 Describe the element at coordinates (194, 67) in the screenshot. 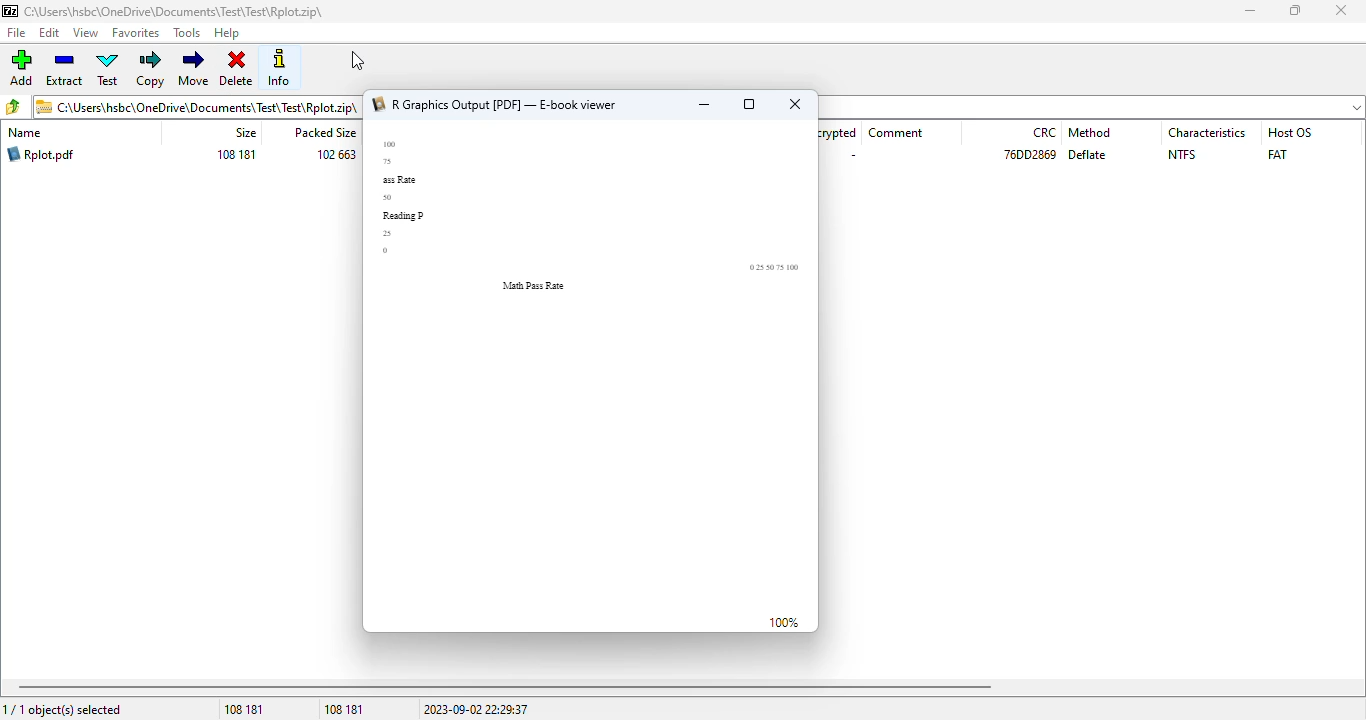

I see `move` at that location.